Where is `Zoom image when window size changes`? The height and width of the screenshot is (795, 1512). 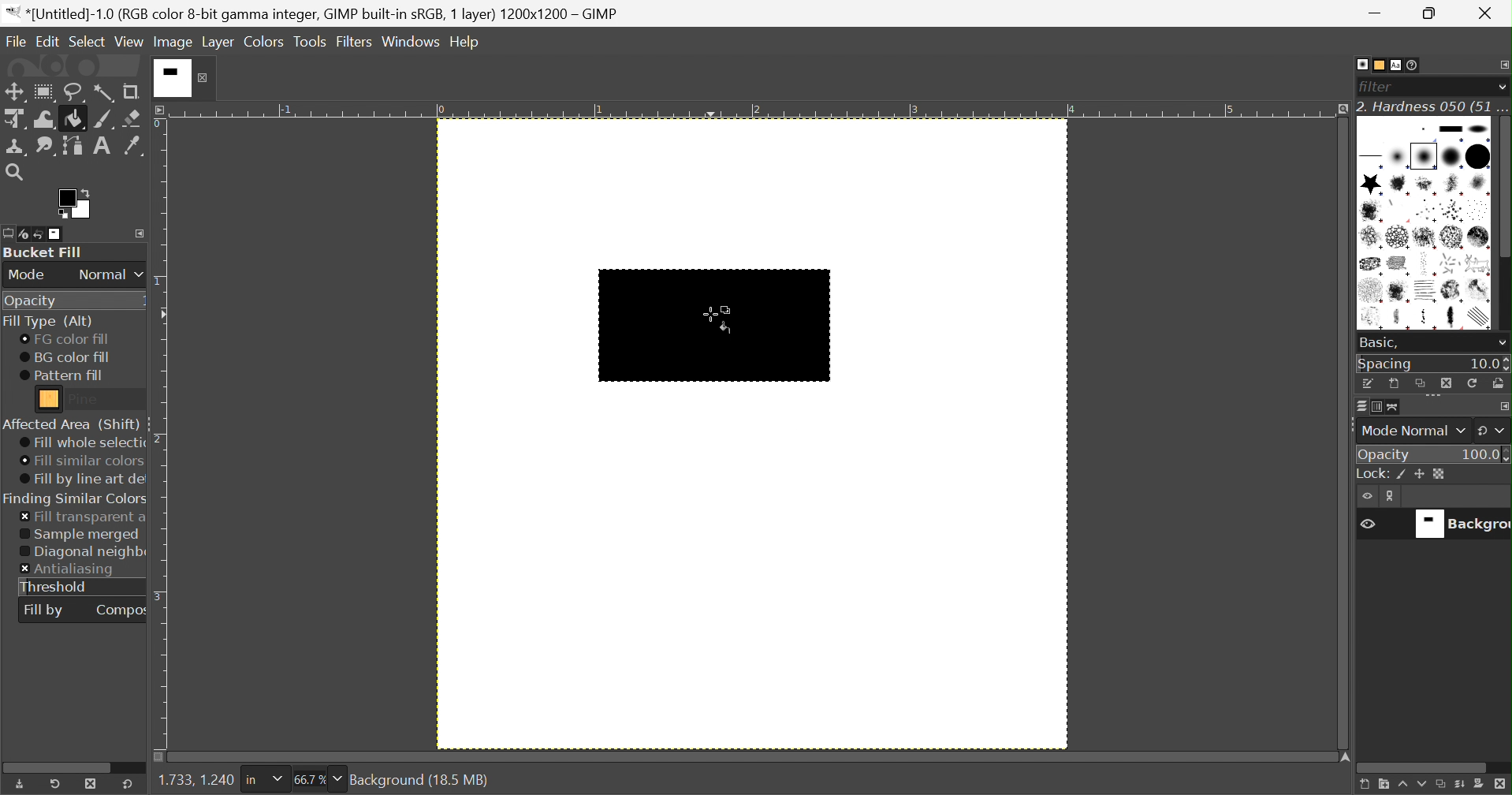
Zoom image when window size changes is located at coordinates (1340, 110).